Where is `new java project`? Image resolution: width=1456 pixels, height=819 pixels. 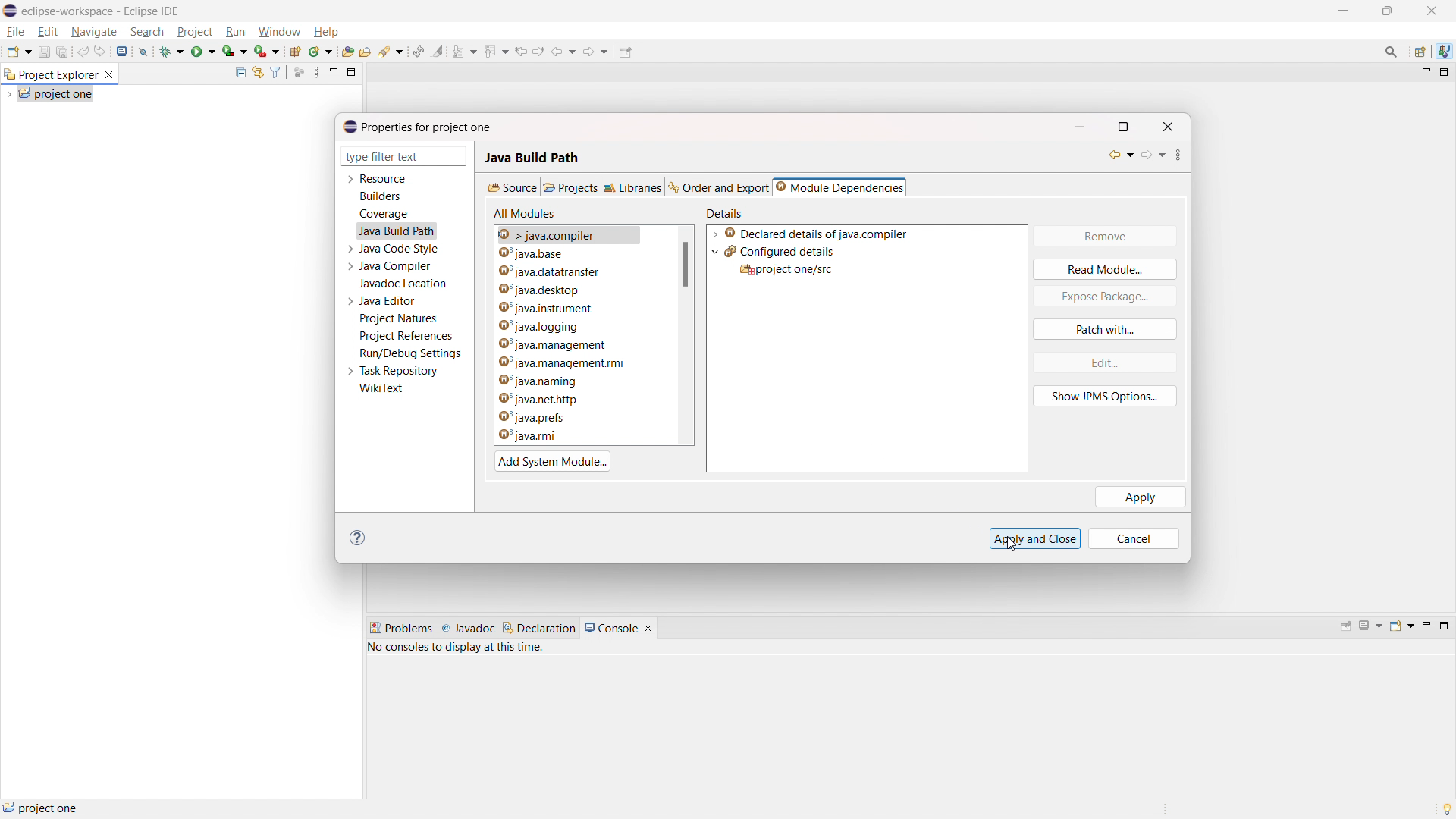
new java project is located at coordinates (294, 52).